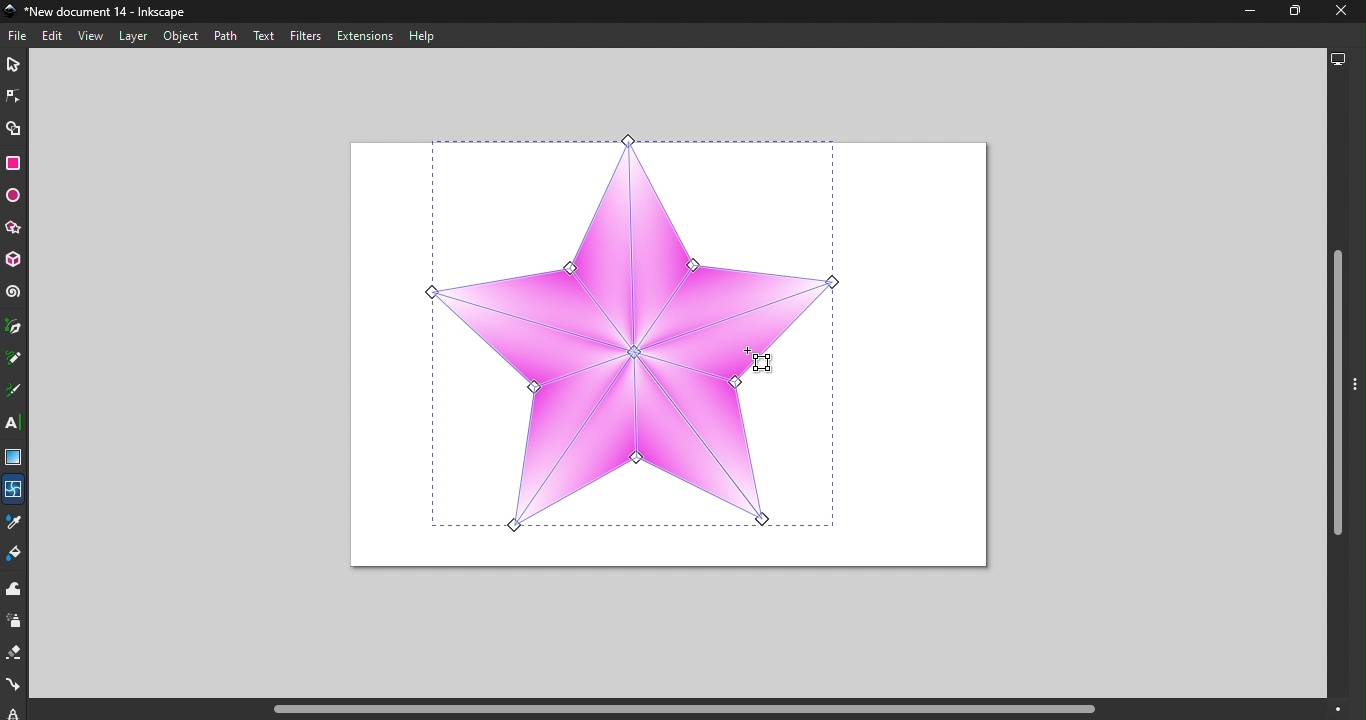 The height and width of the screenshot is (720, 1366). I want to click on Calligraphy tool, so click(17, 391).